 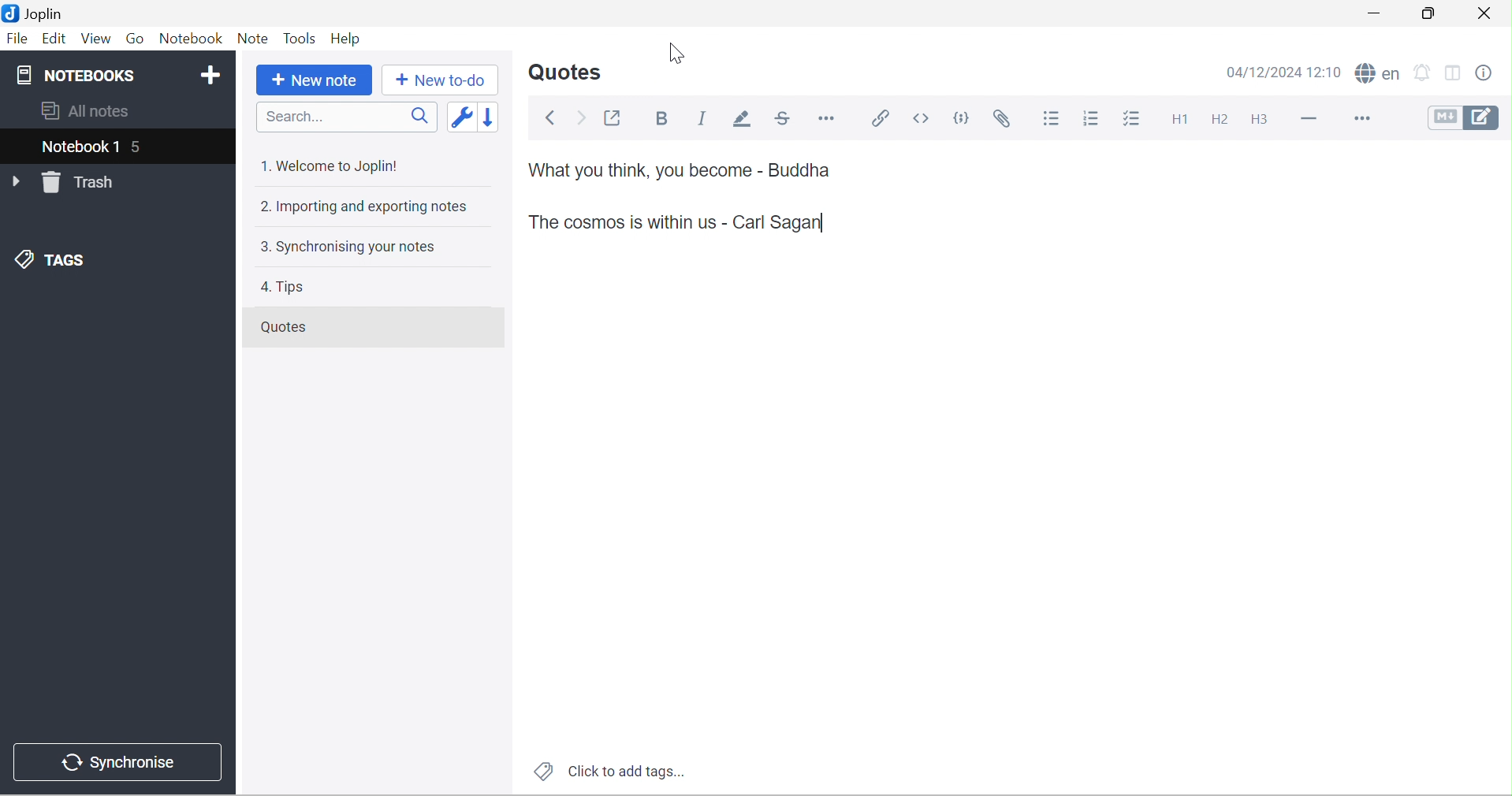 What do you see at coordinates (18, 39) in the screenshot?
I see `File` at bounding box center [18, 39].